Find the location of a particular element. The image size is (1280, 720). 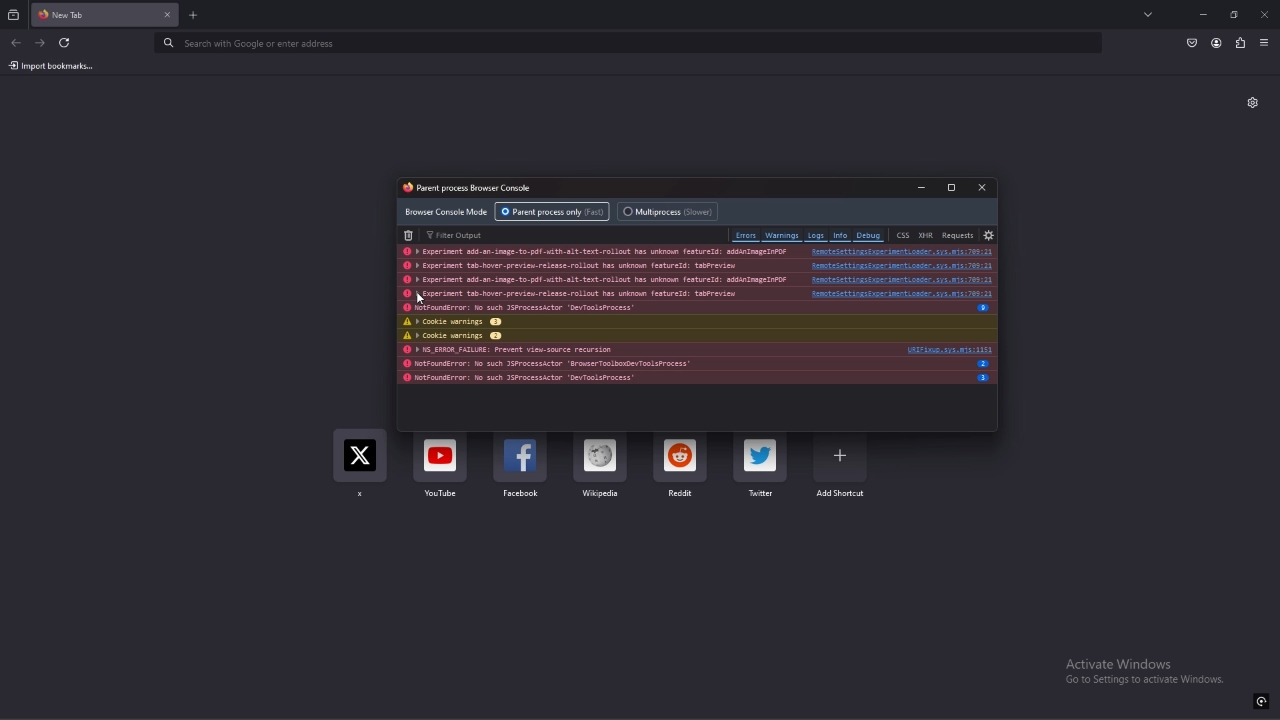

log is located at coordinates (583, 293).